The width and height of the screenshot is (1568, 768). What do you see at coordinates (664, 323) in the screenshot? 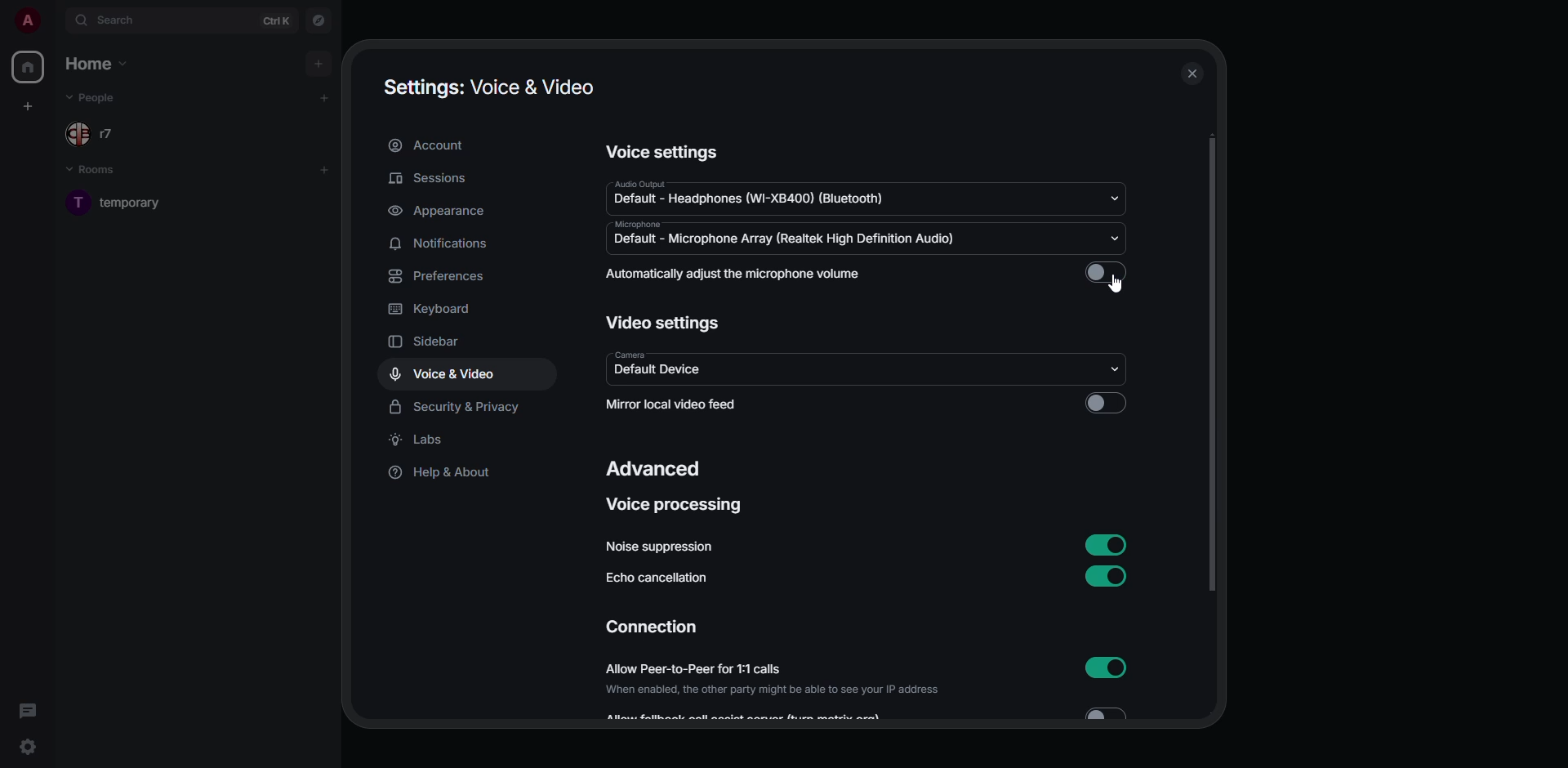
I see `video settings` at bounding box center [664, 323].